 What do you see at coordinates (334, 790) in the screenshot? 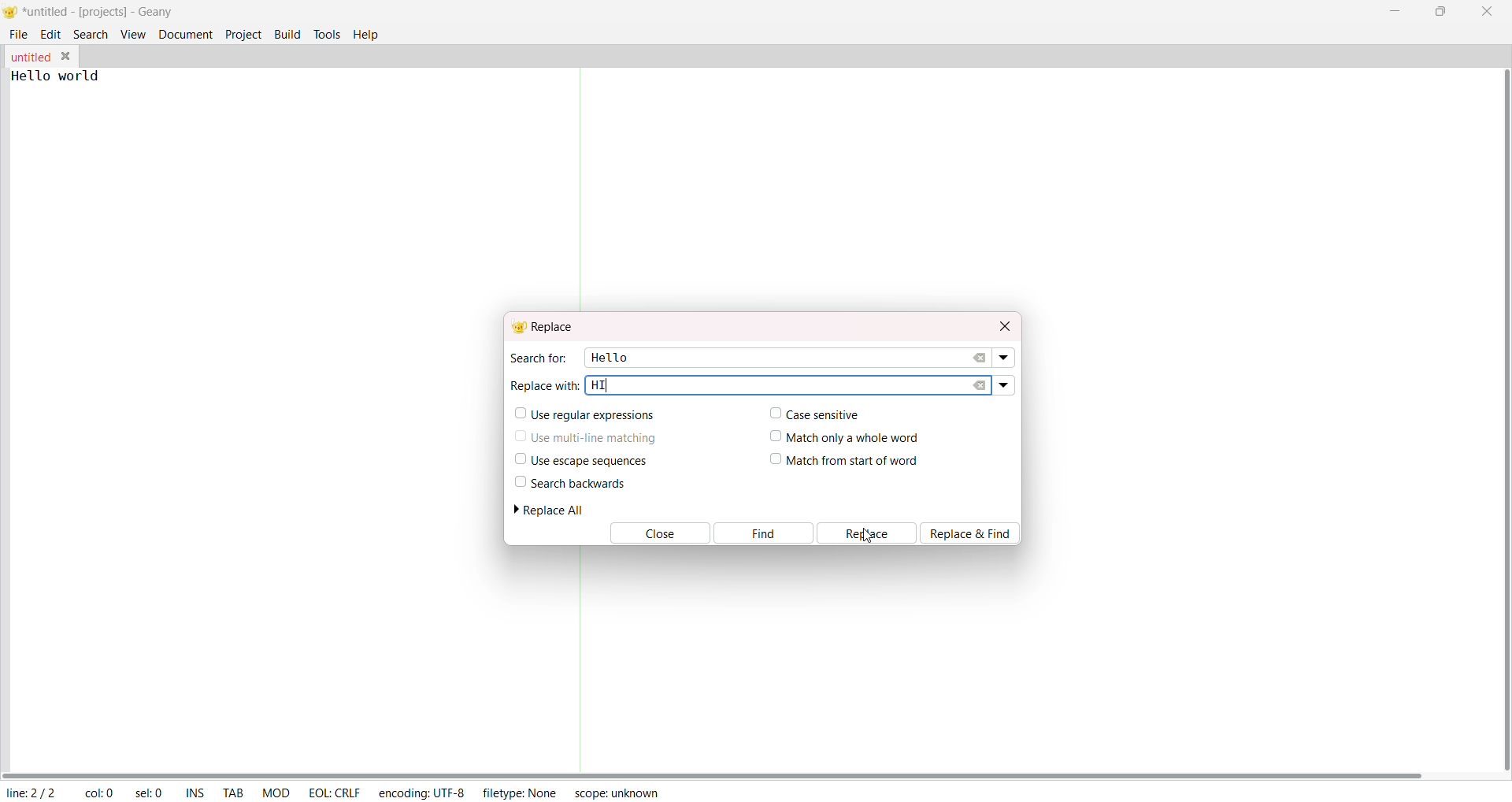
I see `EOL: CRLF` at bounding box center [334, 790].